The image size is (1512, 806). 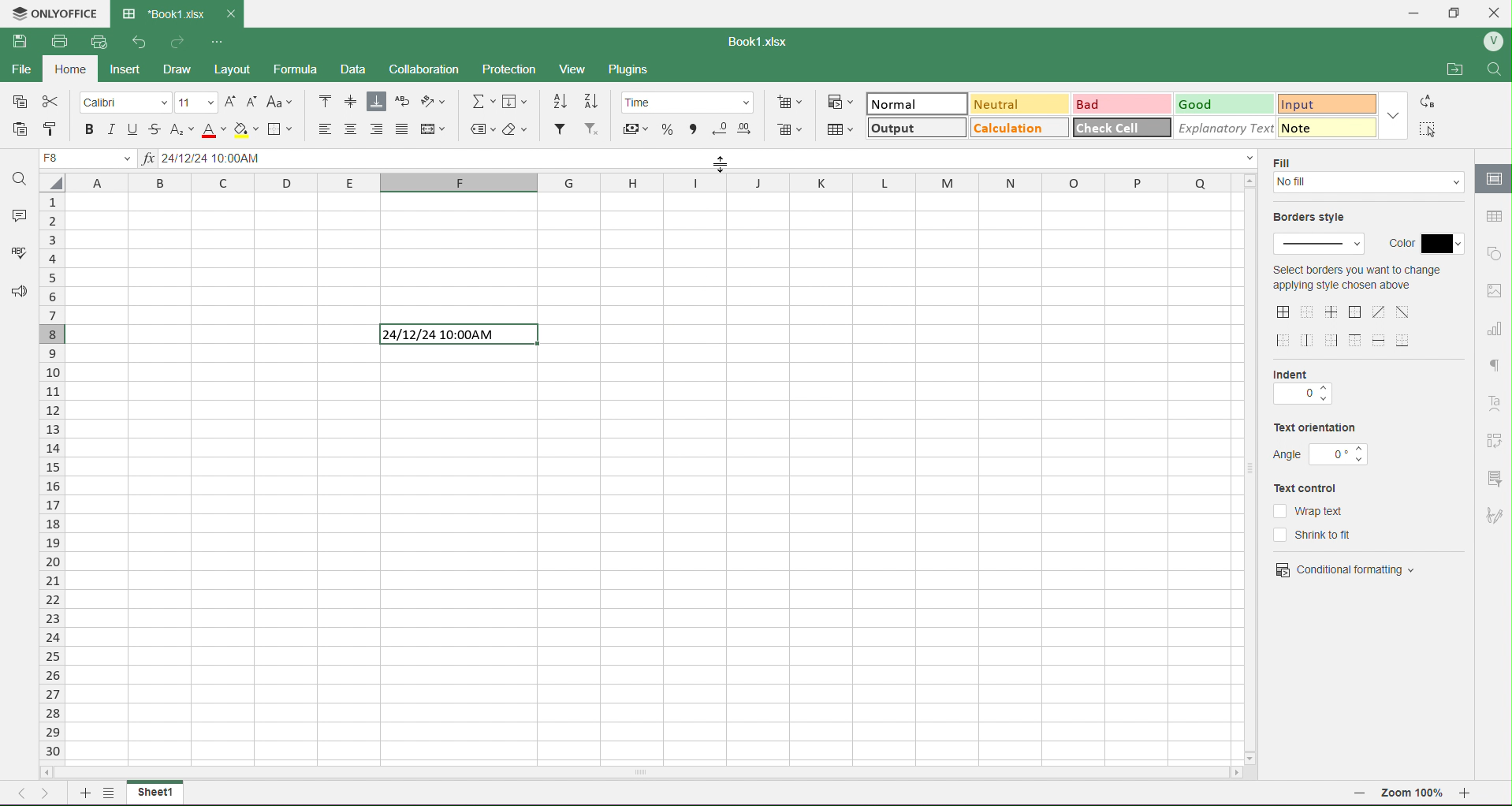 What do you see at coordinates (49, 792) in the screenshot?
I see `next sheet` at bounding box center [49, 792].